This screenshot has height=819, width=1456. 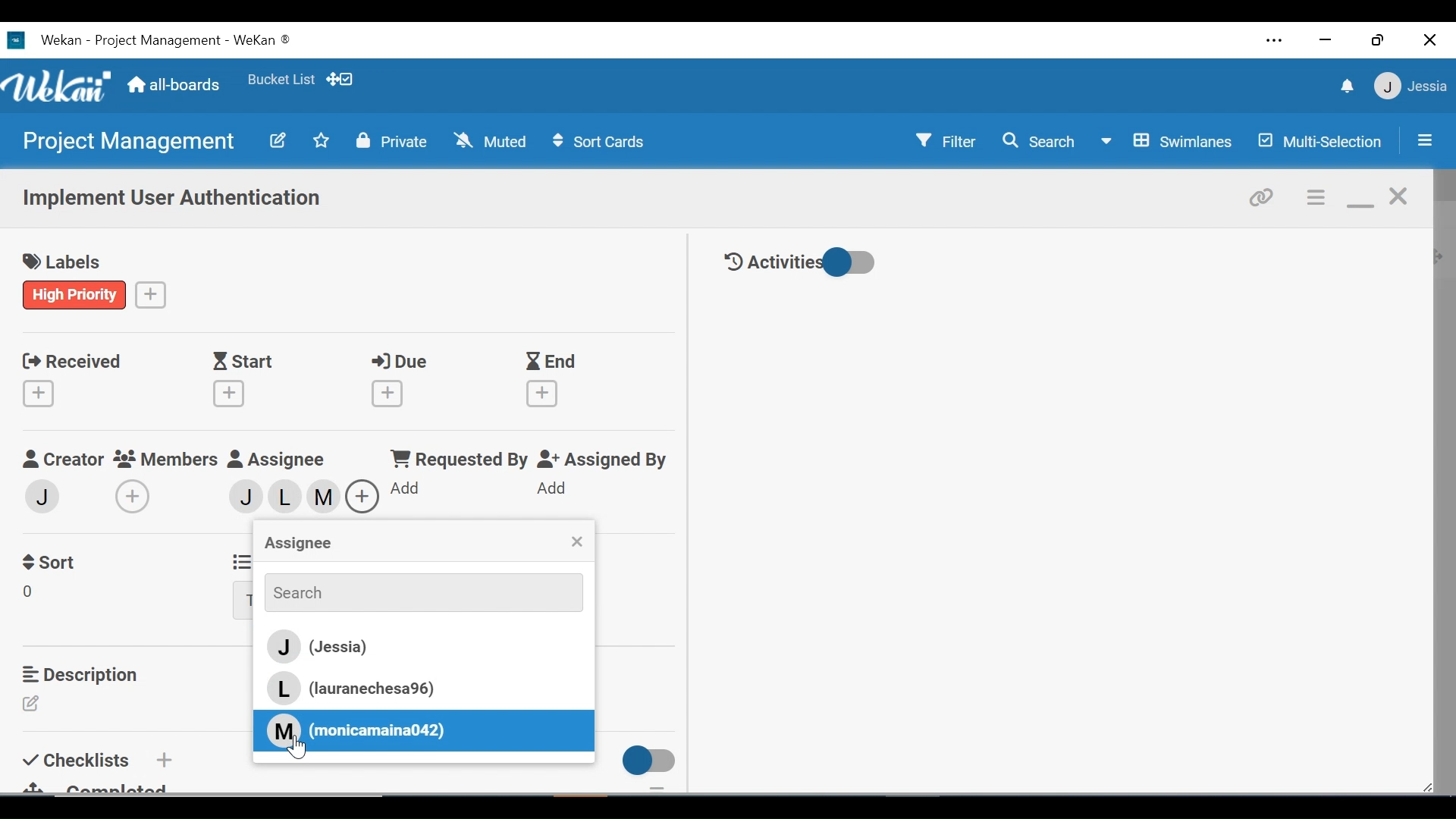 What do you see at coordinates (36, 704) in the screenshot?
I see `Edit` at bounding box center [36, 704].